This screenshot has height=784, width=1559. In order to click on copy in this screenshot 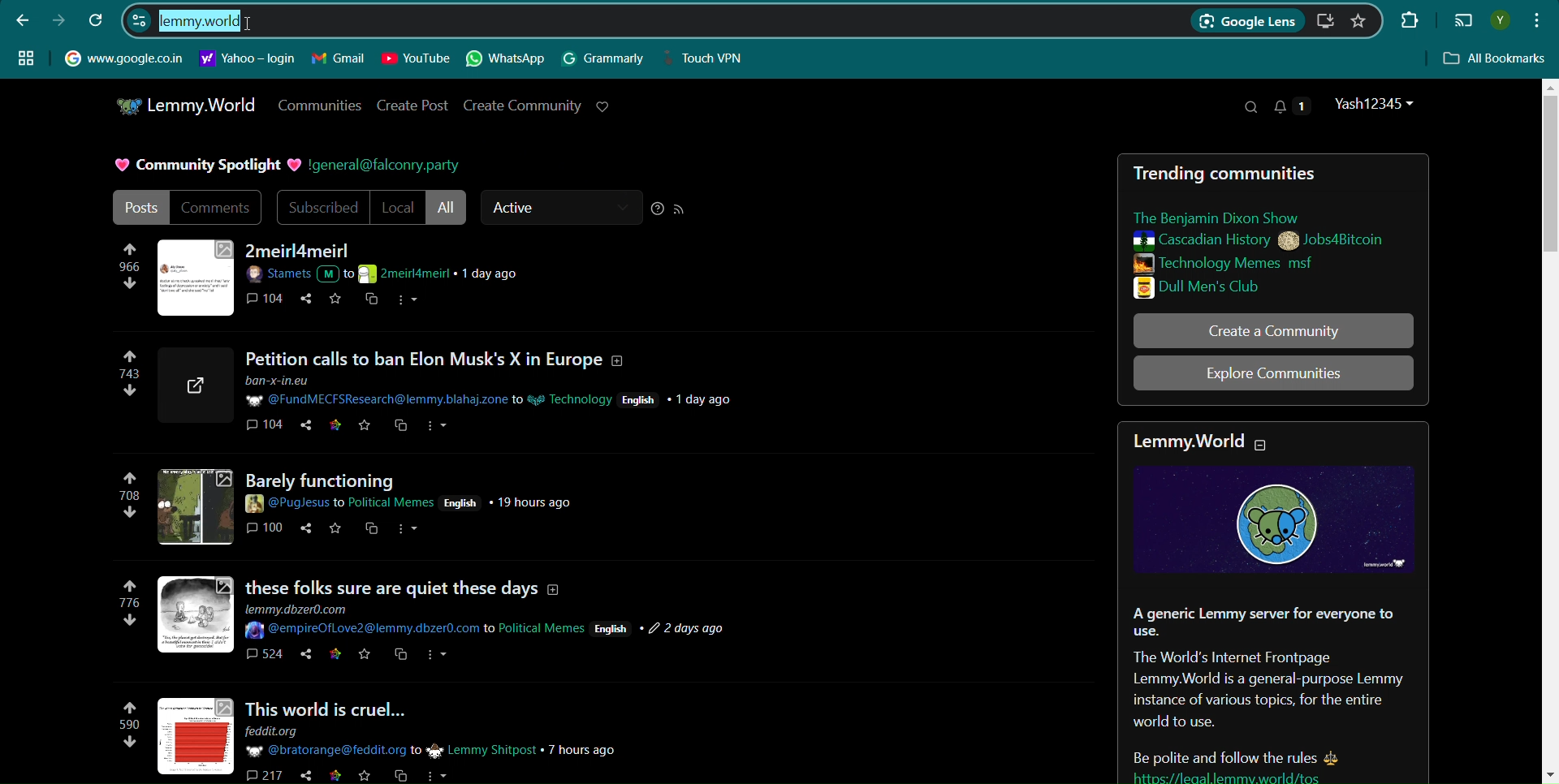, I will do `click(399, 427)`.